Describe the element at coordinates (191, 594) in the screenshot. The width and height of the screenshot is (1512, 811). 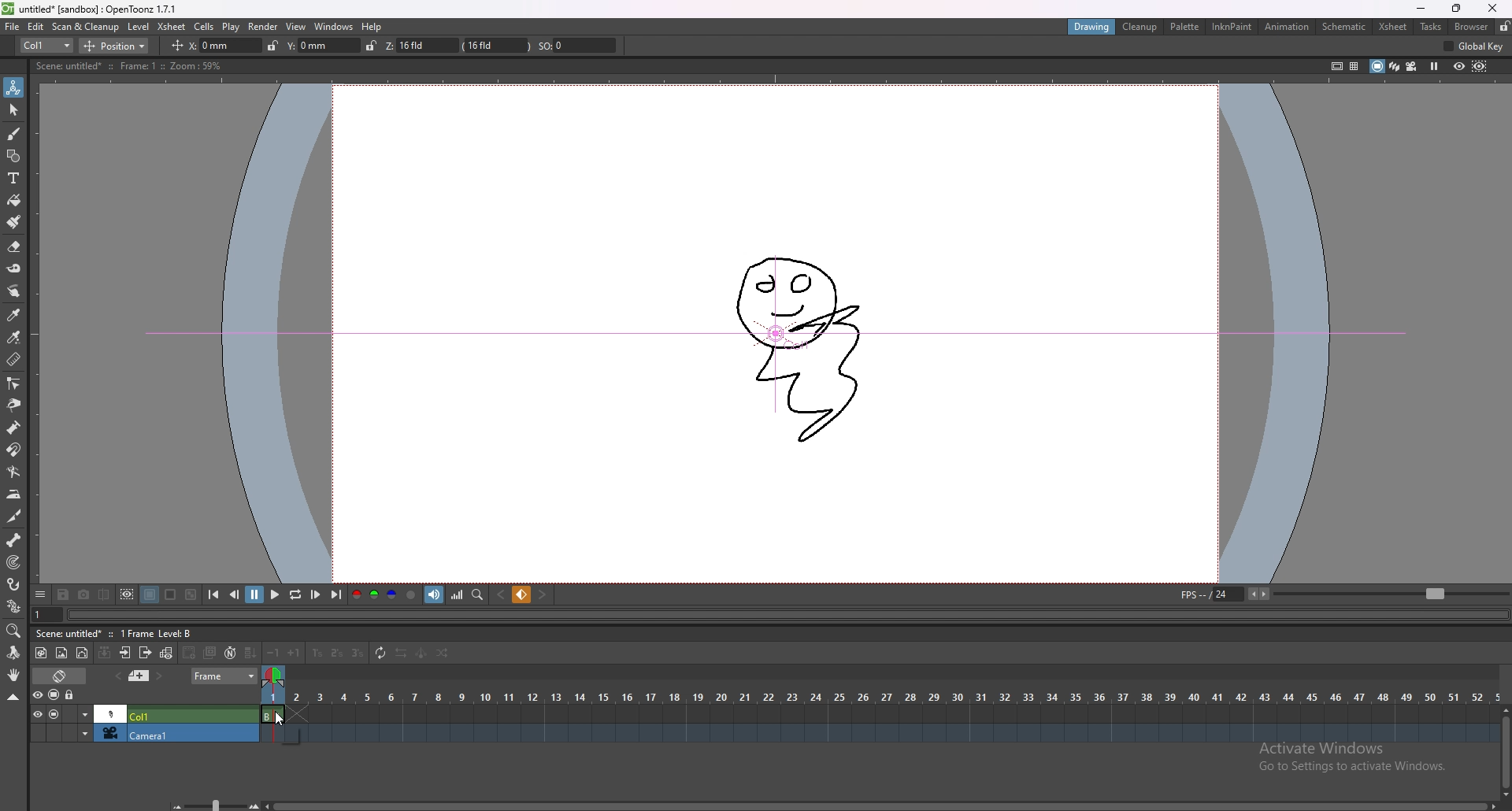
I see `checkered background` at that location.